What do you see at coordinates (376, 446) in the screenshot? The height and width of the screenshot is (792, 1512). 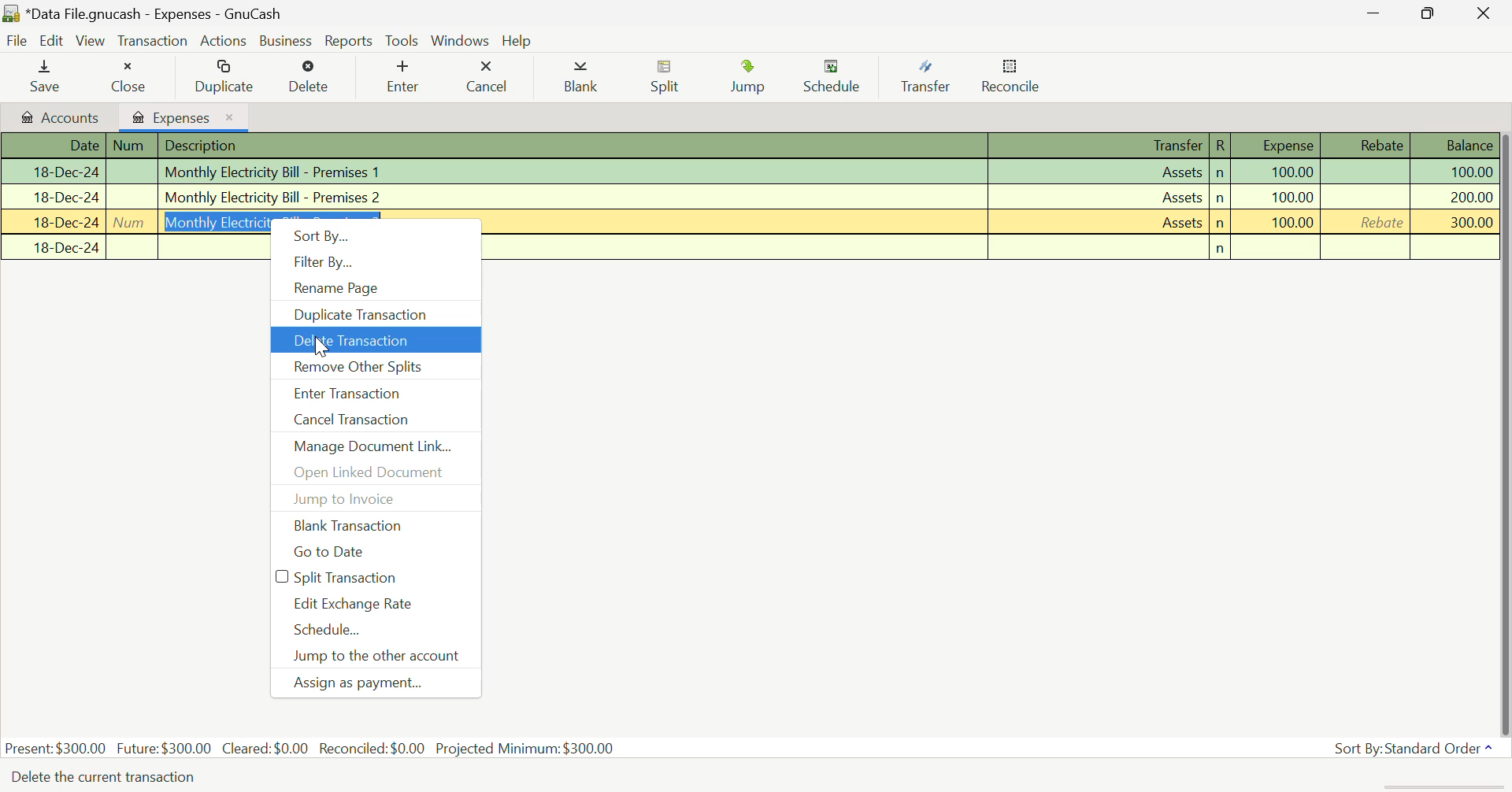 I see `Manage Document Link...` at bounding box center [376, 446].